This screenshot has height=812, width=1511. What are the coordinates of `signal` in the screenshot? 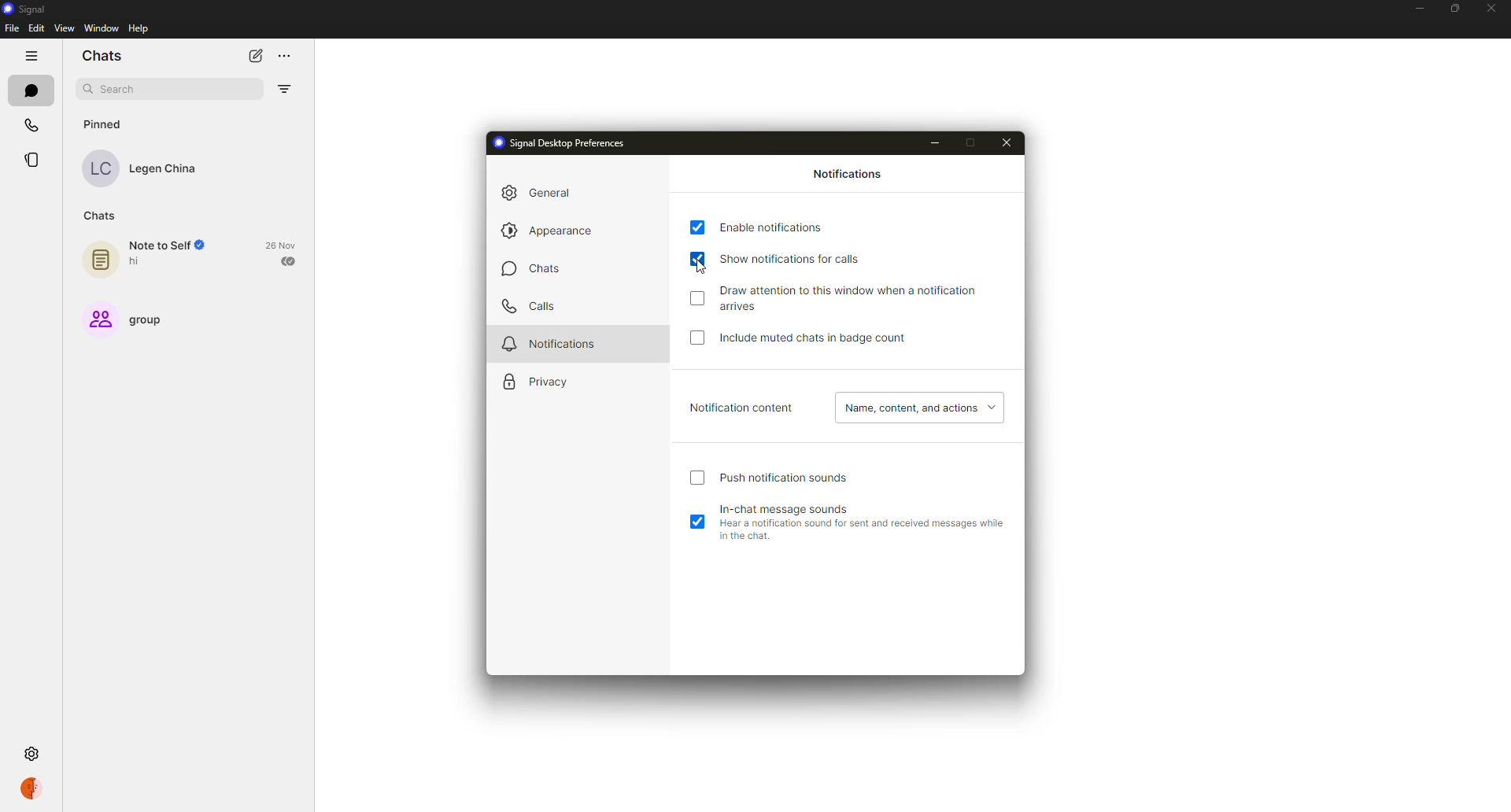 It's located at (31, 9).